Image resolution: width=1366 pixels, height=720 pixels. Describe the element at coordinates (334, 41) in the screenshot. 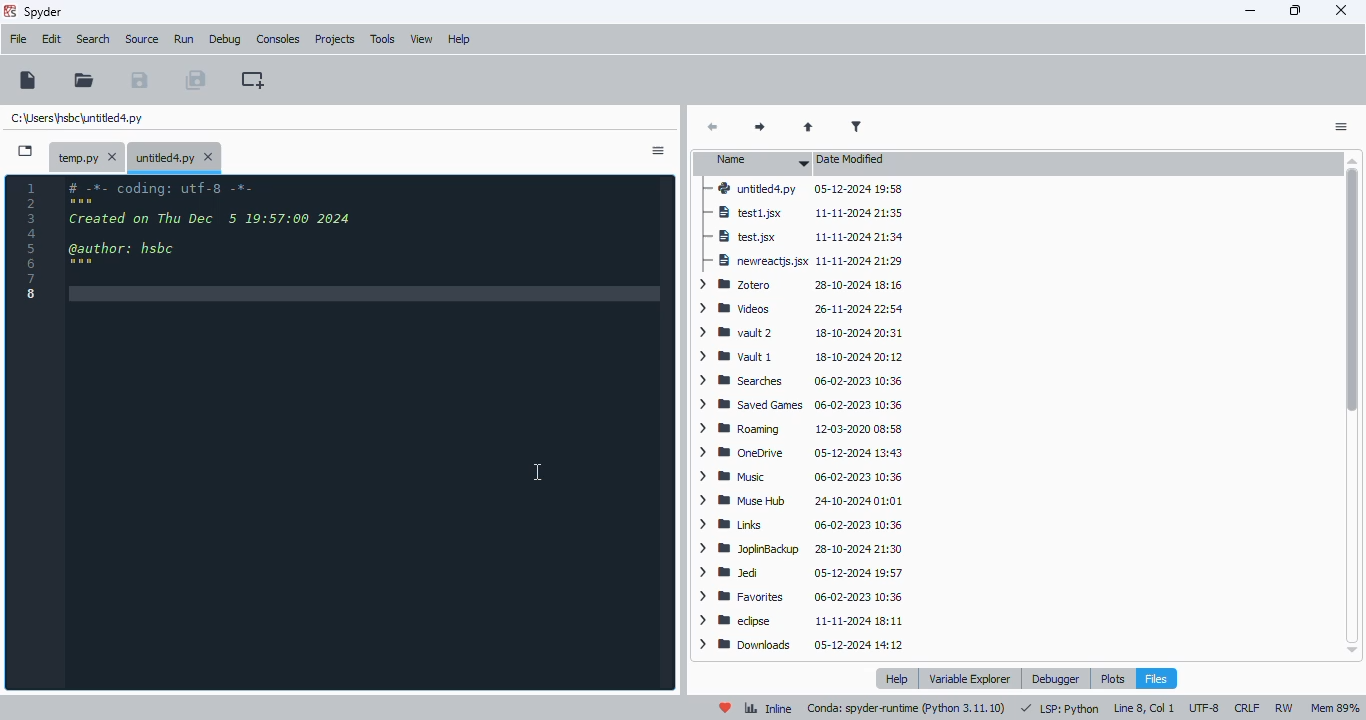

I see `projects` at that location.